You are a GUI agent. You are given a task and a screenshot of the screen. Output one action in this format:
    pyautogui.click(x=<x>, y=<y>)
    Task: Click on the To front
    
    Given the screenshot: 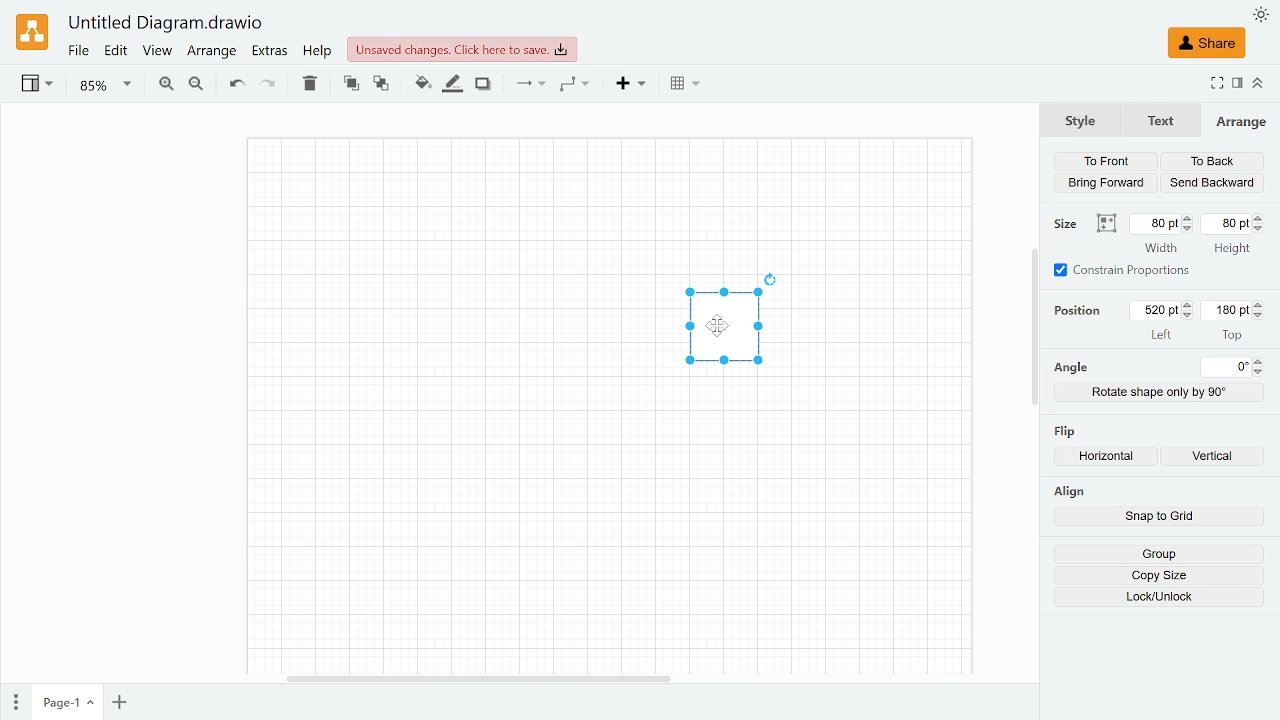 What is the action you would take?
    pyautogui.click(x=1105, y=162)
    